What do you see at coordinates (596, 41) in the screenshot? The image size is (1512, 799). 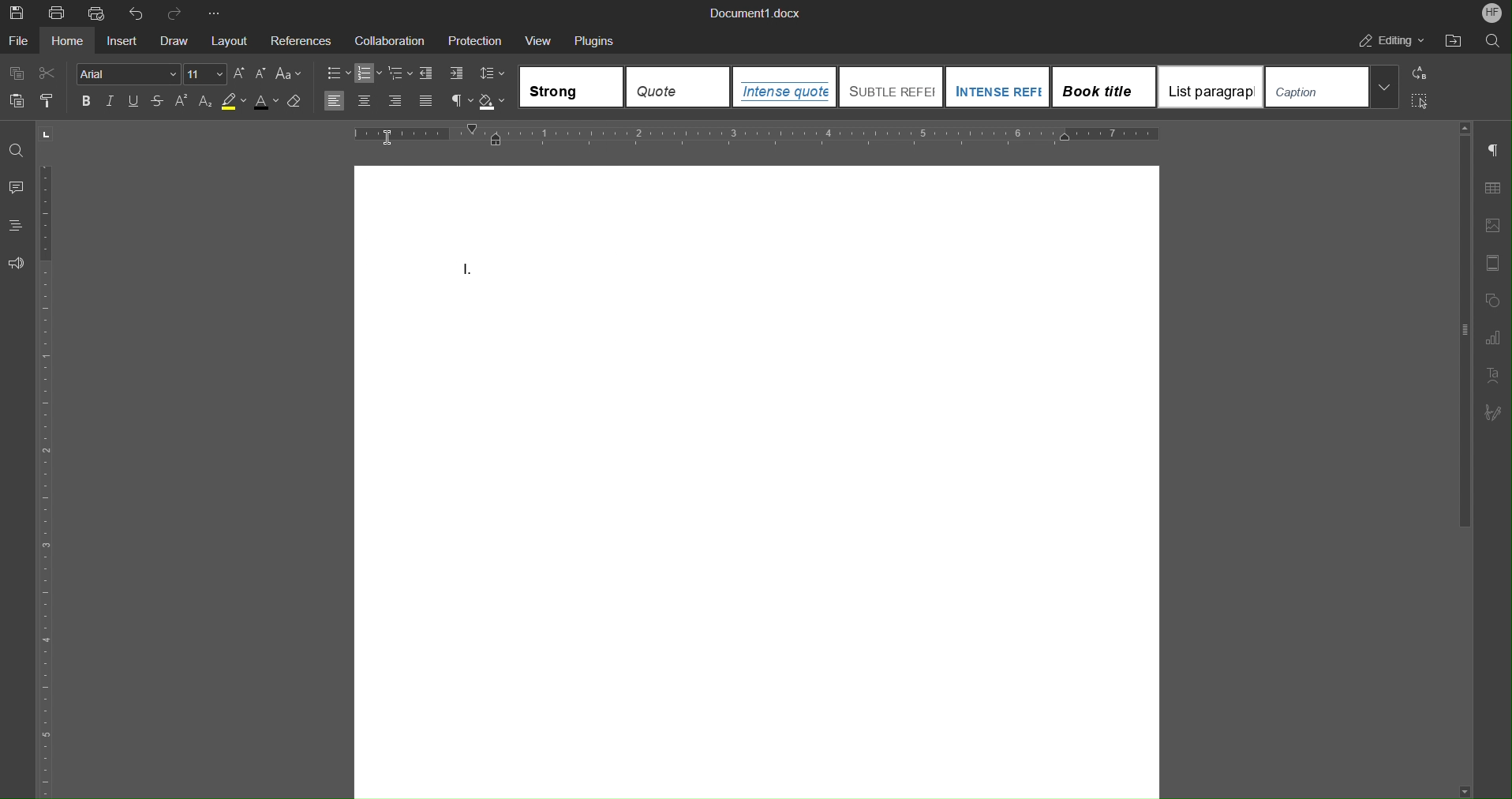 I see `Plugins` at bounding box center [596, 41].